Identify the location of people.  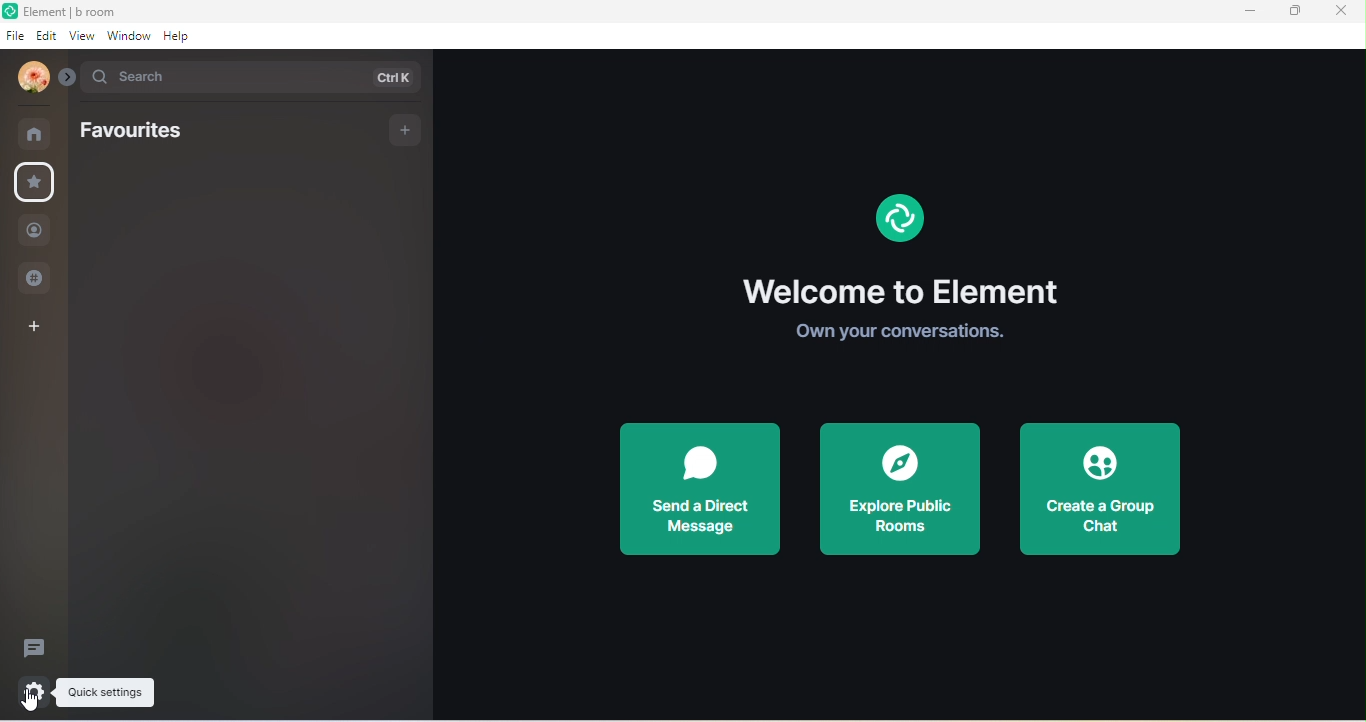
(33, 234).